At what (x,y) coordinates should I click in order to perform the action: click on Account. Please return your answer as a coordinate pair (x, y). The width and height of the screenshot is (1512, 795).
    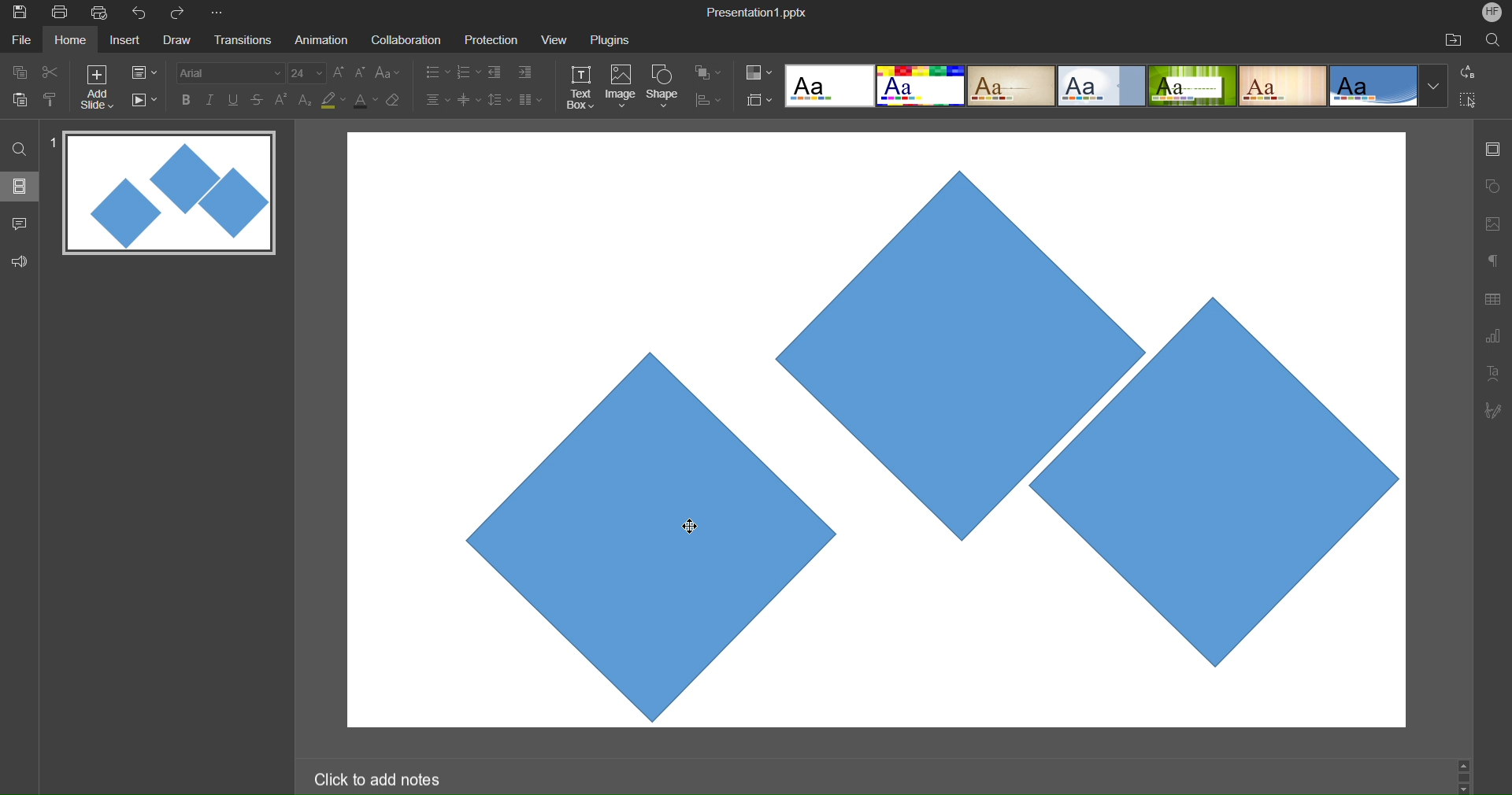
    Looking at the image, I should click on (1492, 12).